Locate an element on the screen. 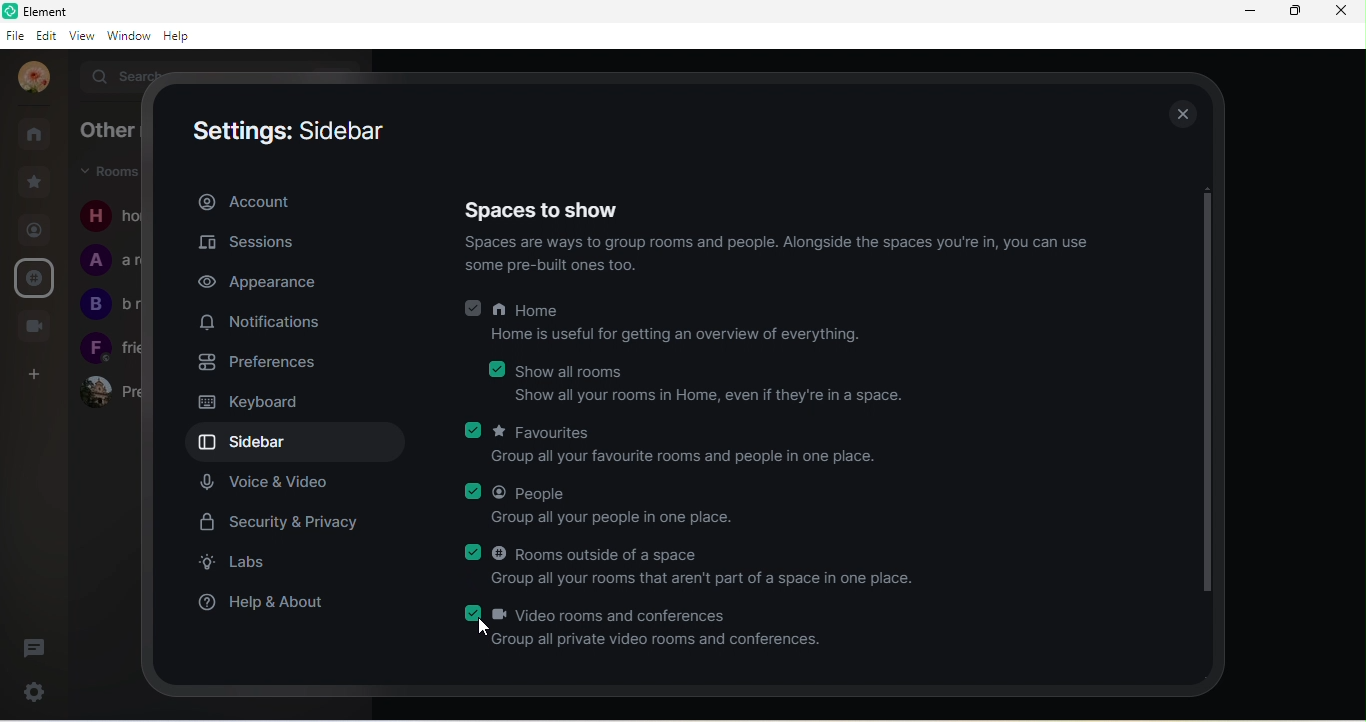  preferences is located at coordinates (267, 367).